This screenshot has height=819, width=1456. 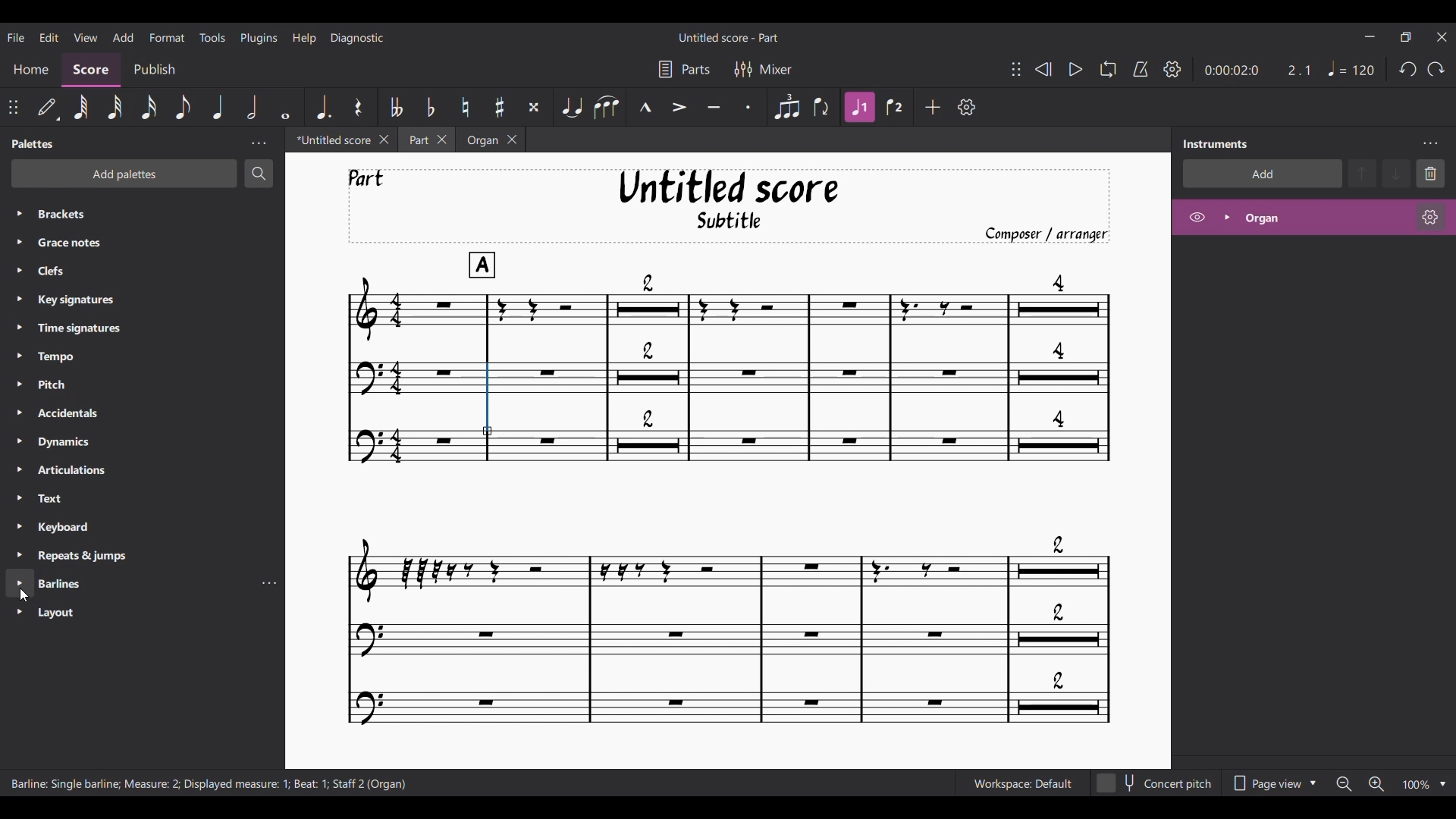 What do you see at coordinates (500, 107) in the screenshot?
I see `Toggle sharp` at bounding box center [500, 107].